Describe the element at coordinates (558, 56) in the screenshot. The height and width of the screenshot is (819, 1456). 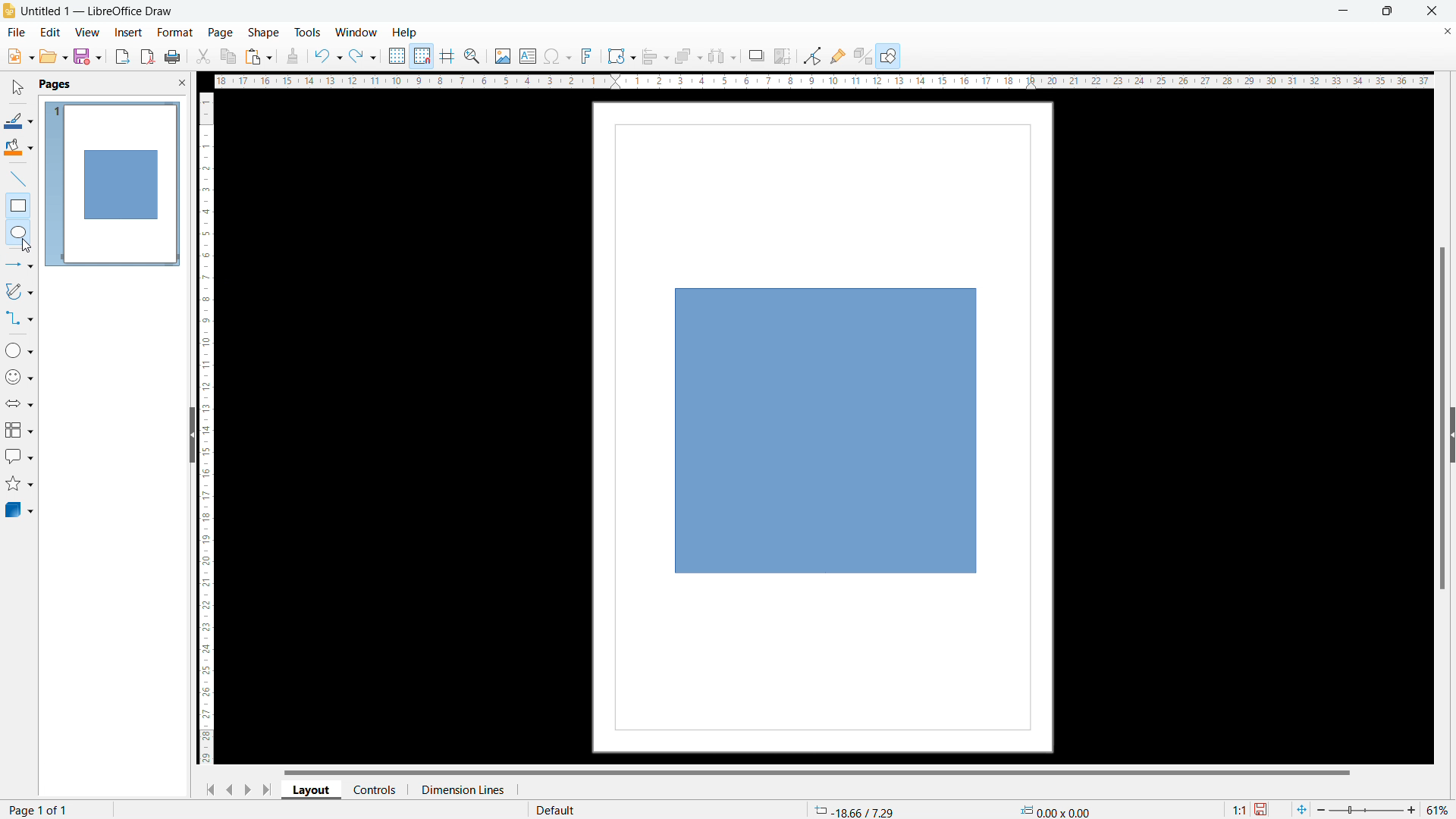
I see `insert special character` at that location.